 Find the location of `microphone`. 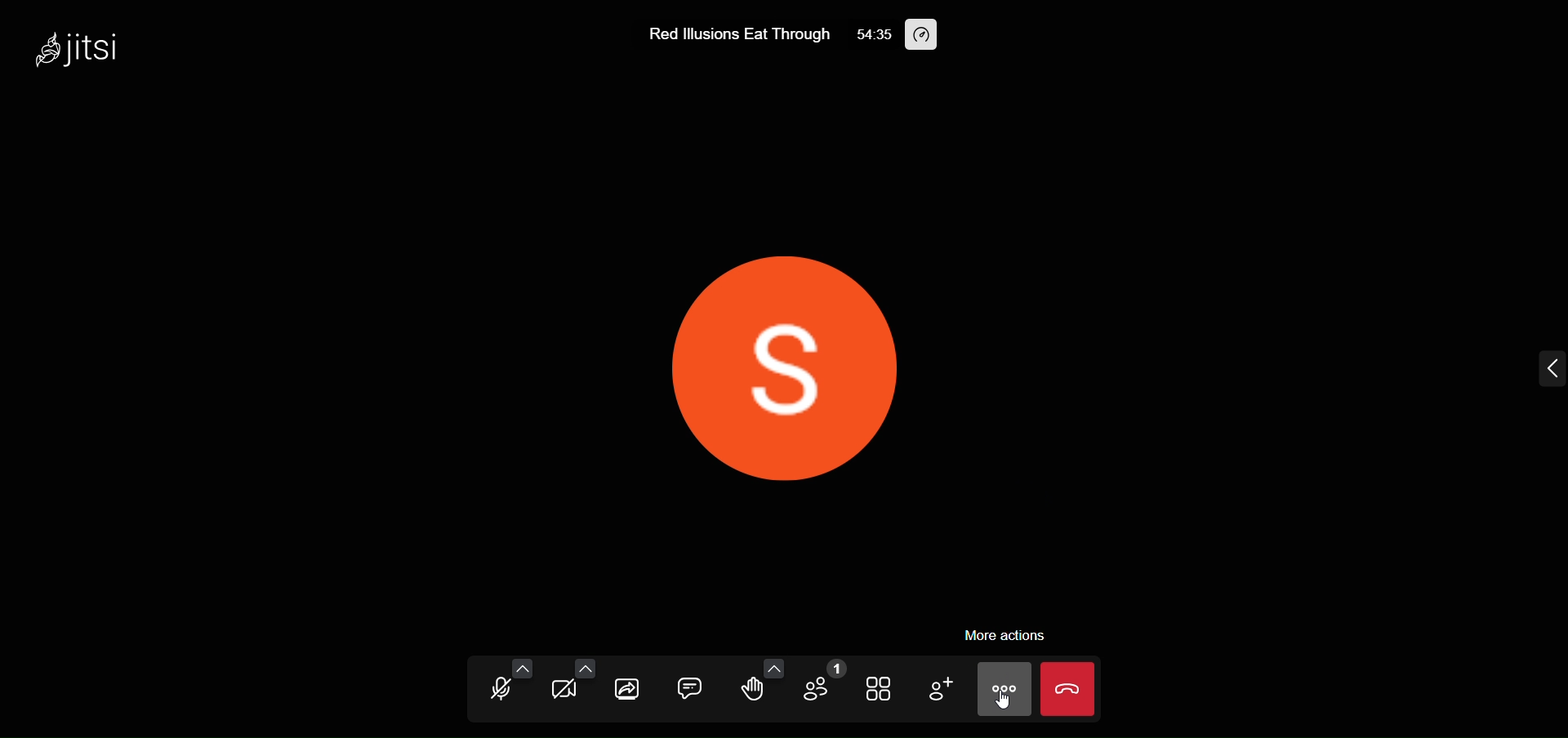

microphone is located at coordinates (500, 691).